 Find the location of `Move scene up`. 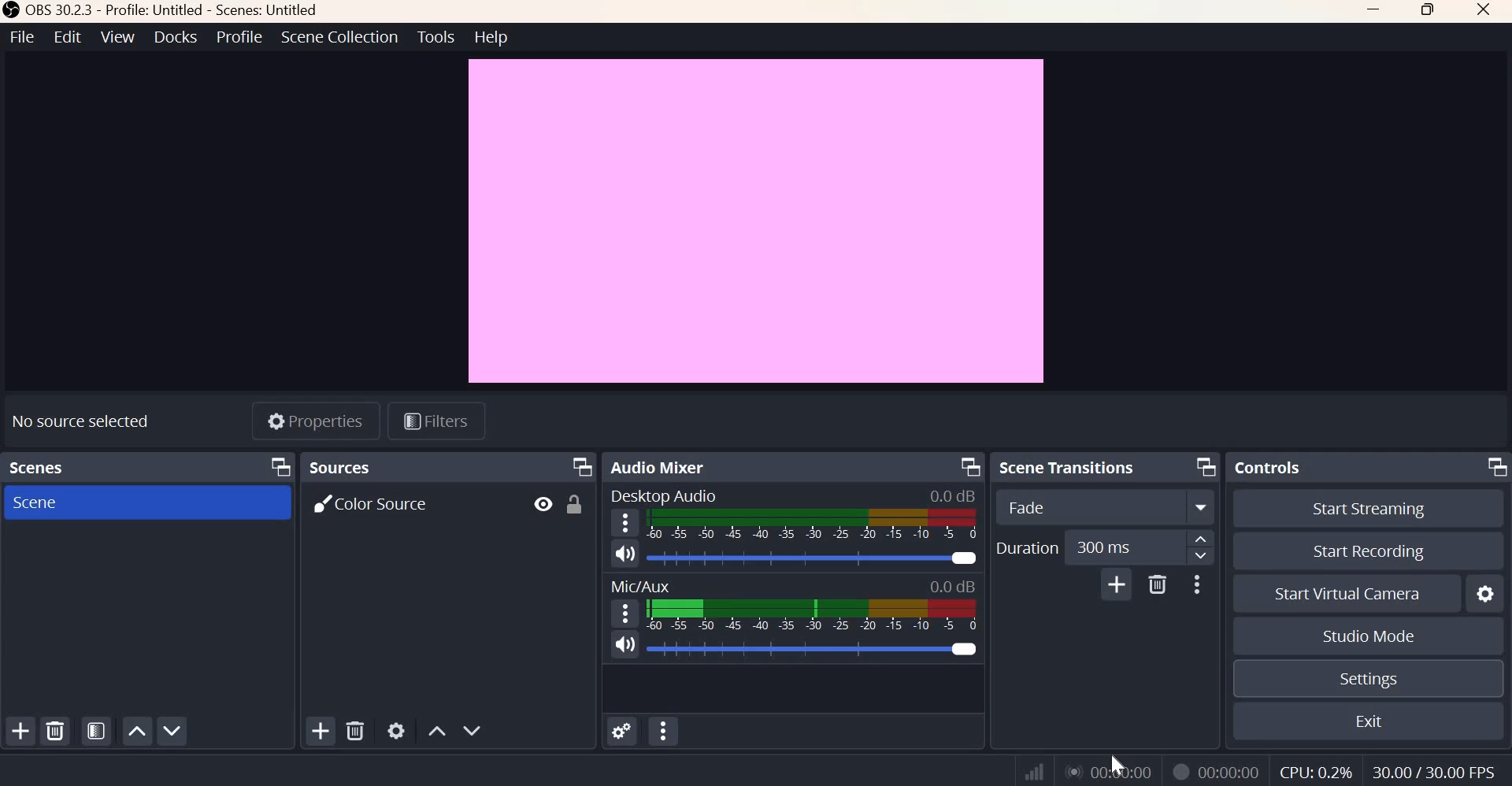

Move scene up is located at coordinates (139, 732).